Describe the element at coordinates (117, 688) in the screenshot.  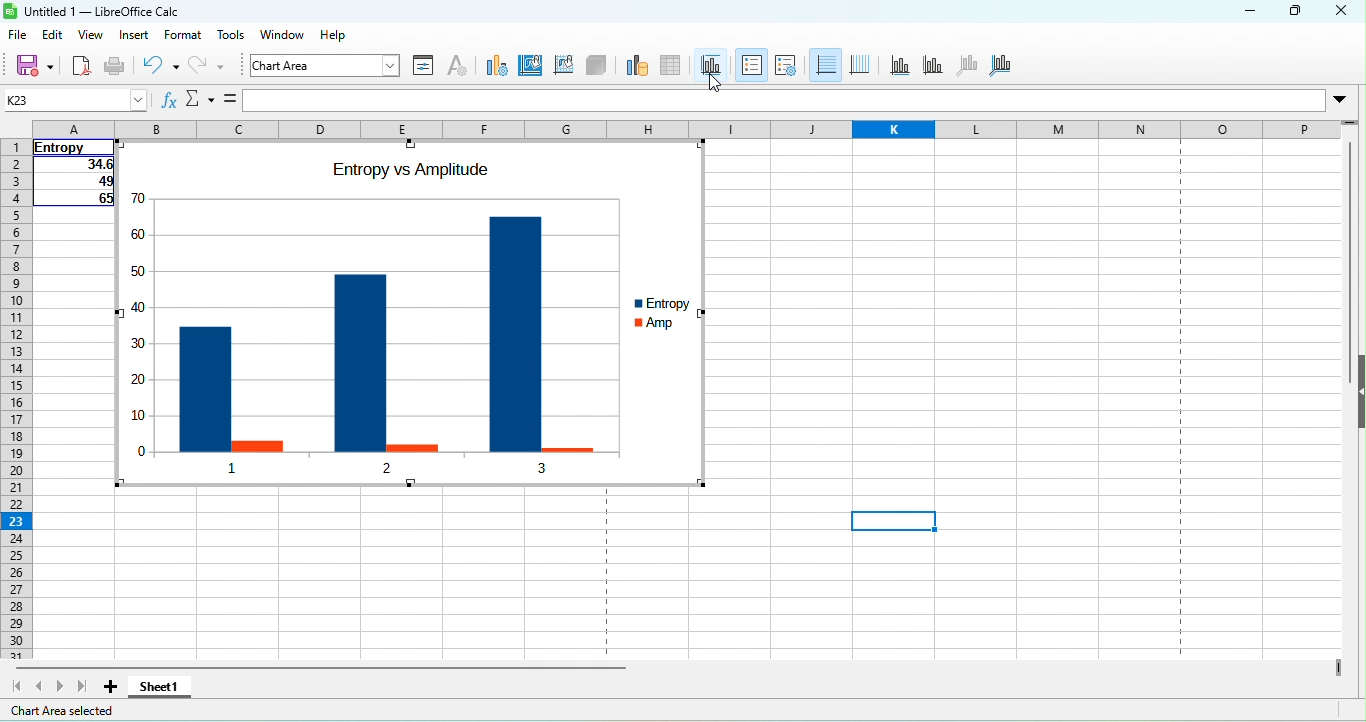
I see `add sheet` at that location.